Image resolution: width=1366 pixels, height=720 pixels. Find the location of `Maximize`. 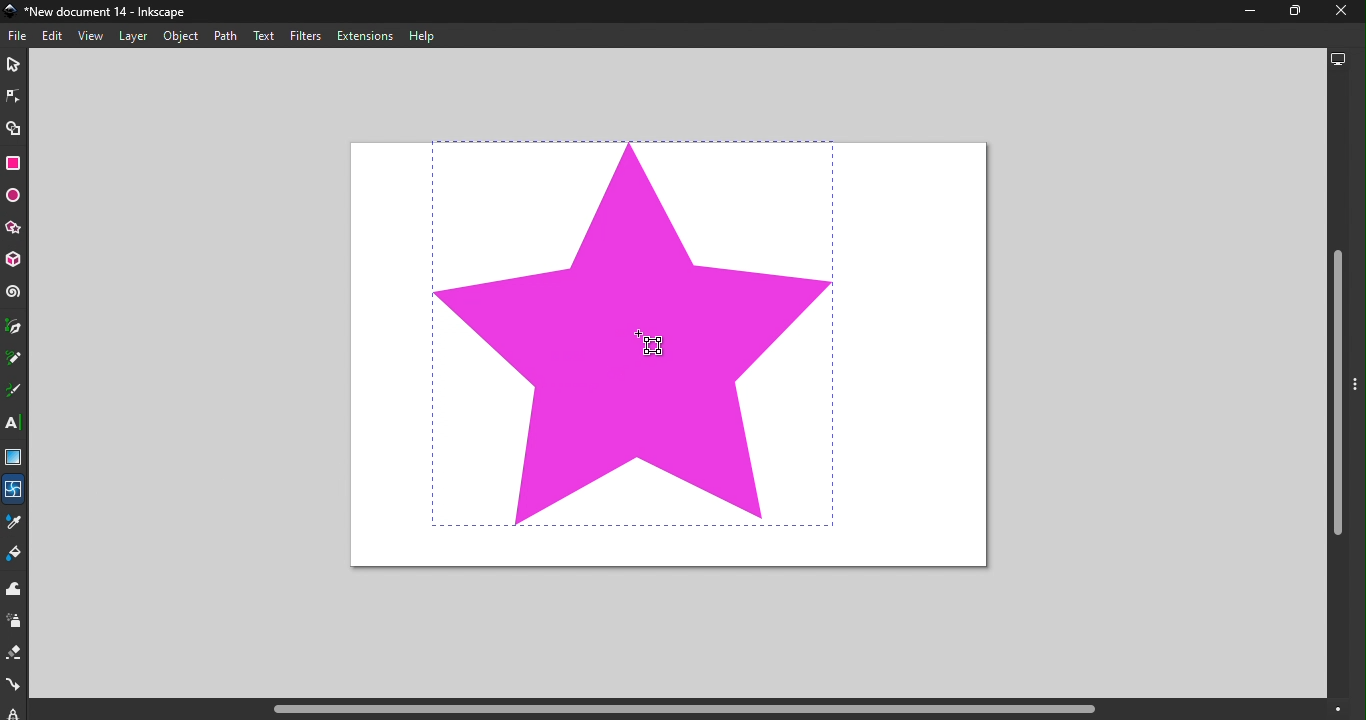

Maximize is located at coordinates (1289, 12).